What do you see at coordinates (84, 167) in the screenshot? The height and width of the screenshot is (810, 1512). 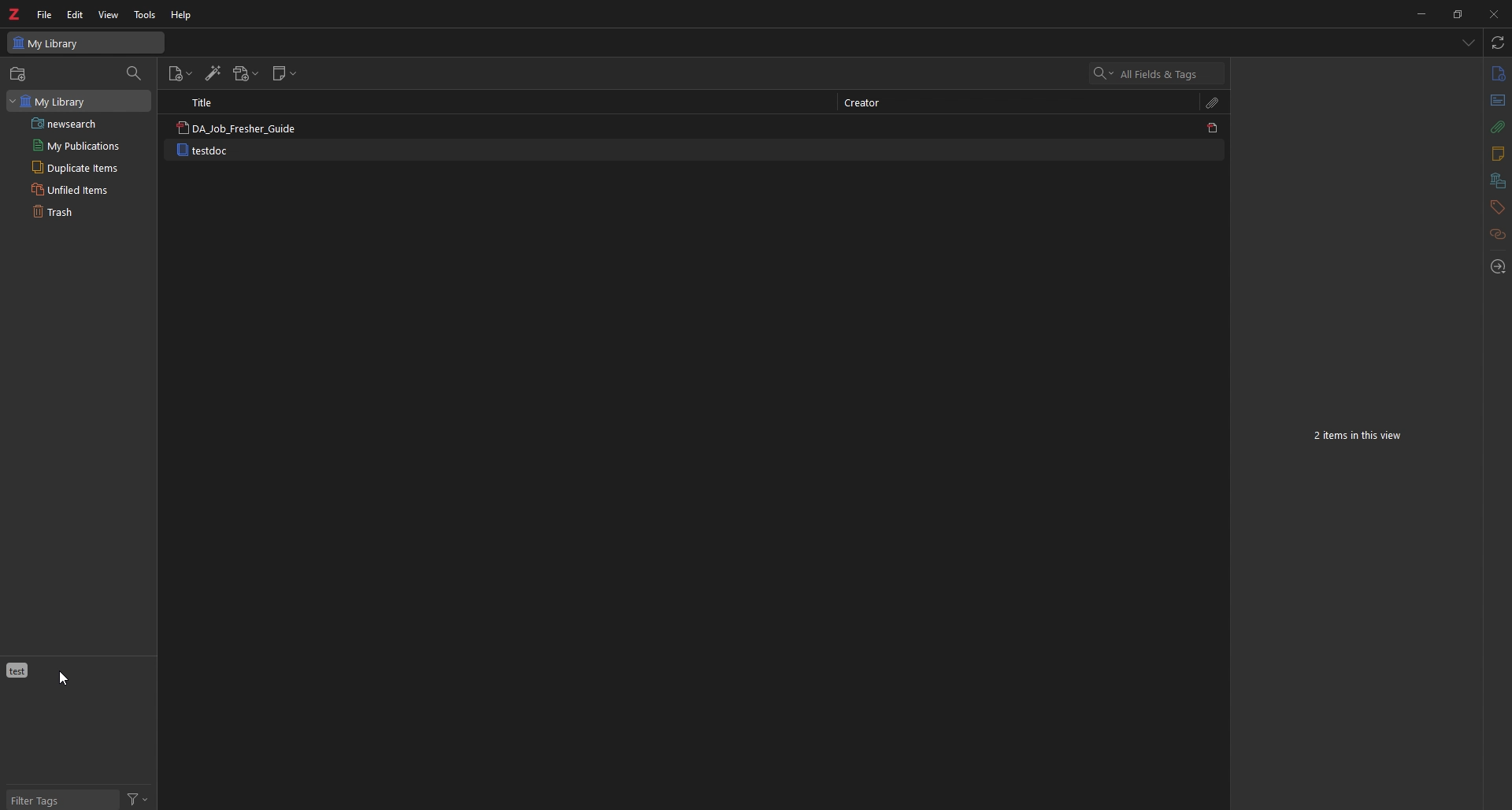 I see `duplicate items` at bounding box center [84, 167].